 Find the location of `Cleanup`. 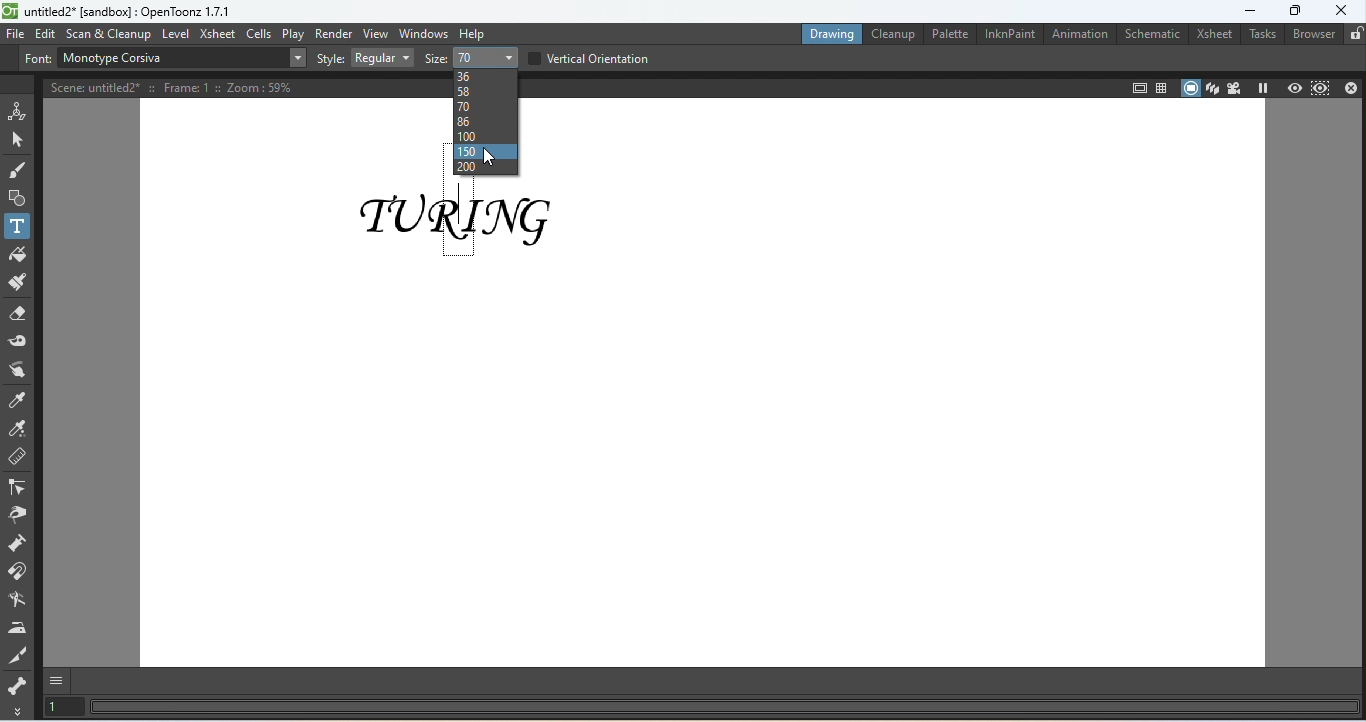

Cleanup is located at coordinates (890, 34).